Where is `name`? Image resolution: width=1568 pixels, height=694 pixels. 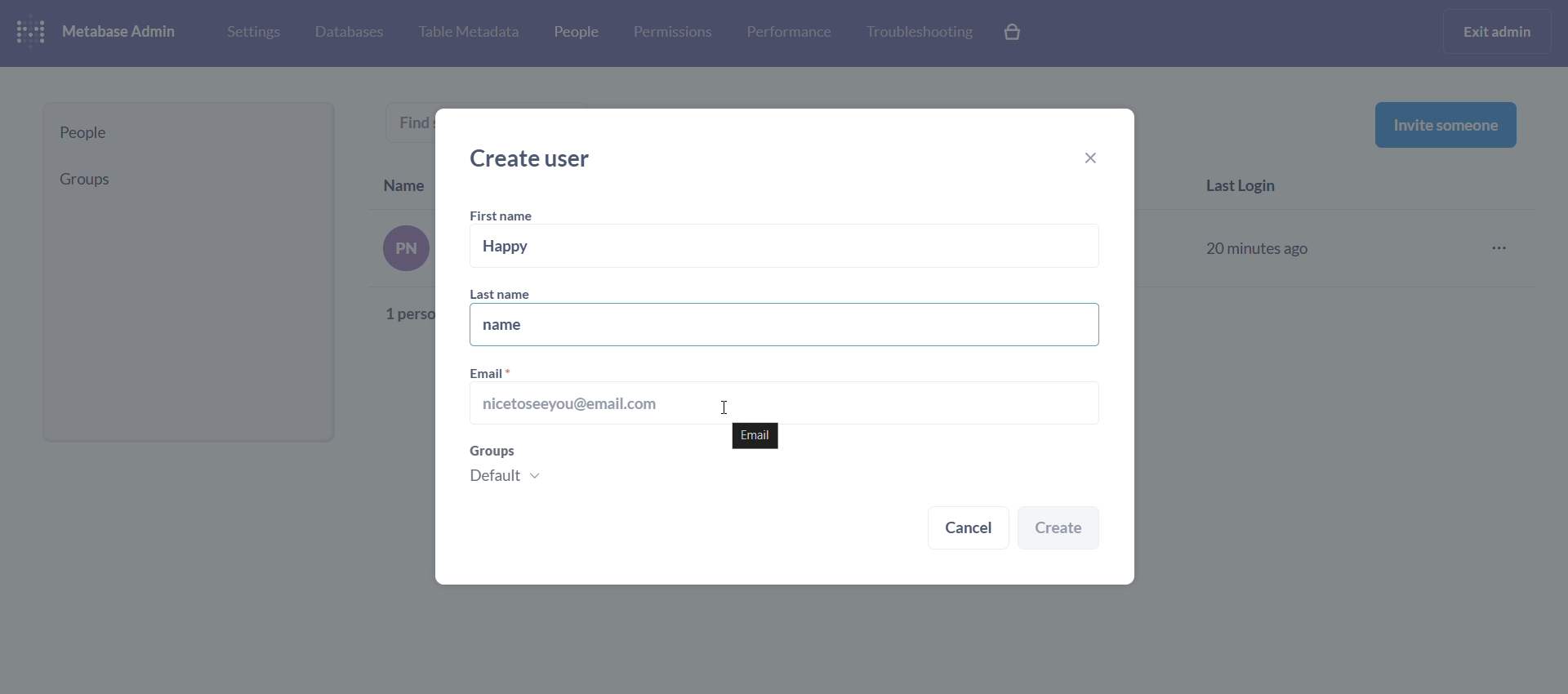 name is located at coordinates (782, 326).